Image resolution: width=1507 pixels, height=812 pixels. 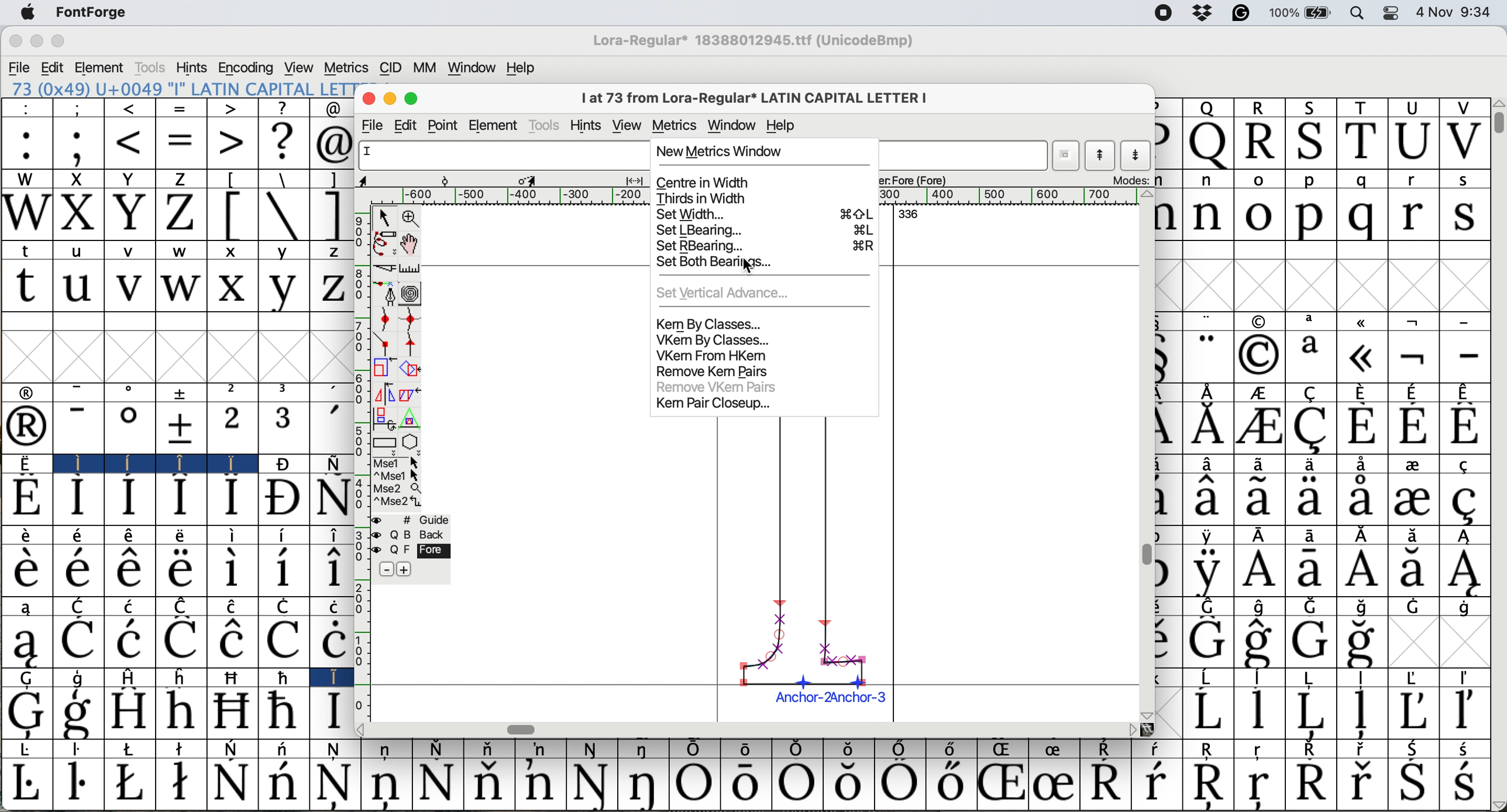 I want to click on symbol, so click(x=183, y=392).